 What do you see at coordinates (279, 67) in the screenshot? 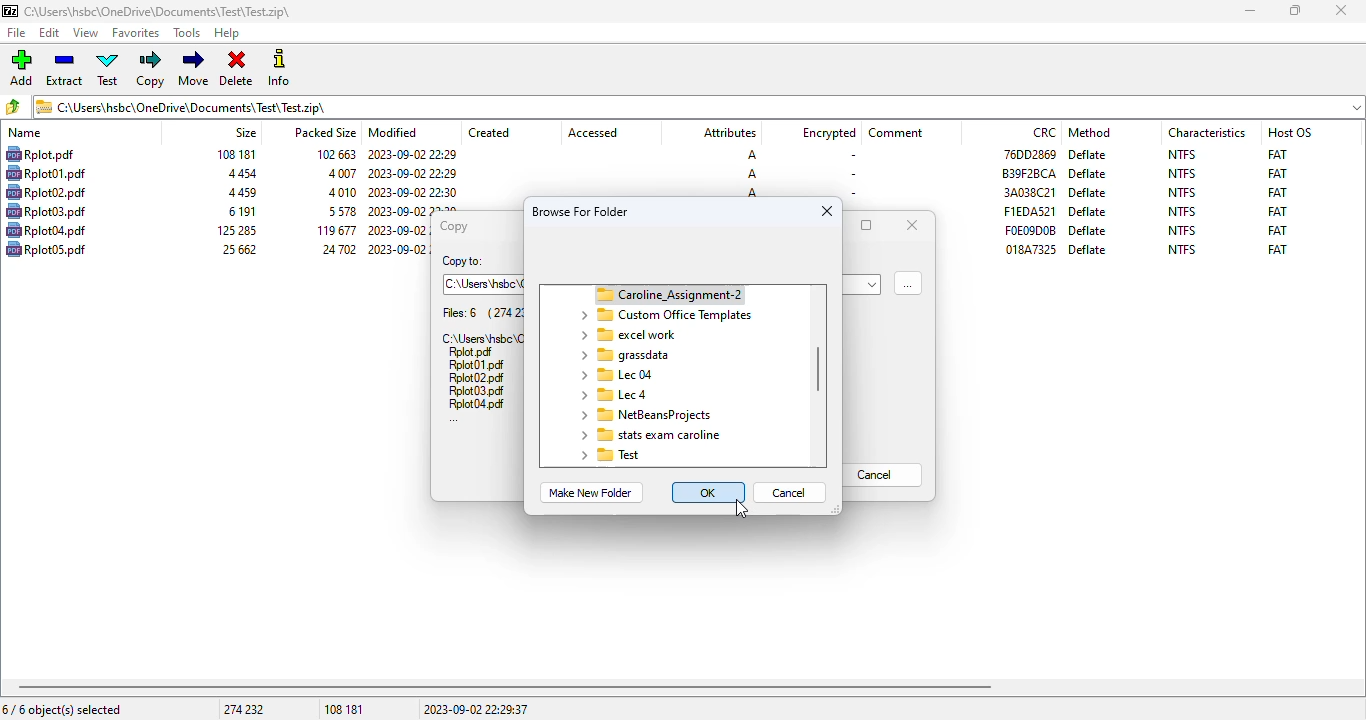
I see `info` at bounding box center [279, 67].